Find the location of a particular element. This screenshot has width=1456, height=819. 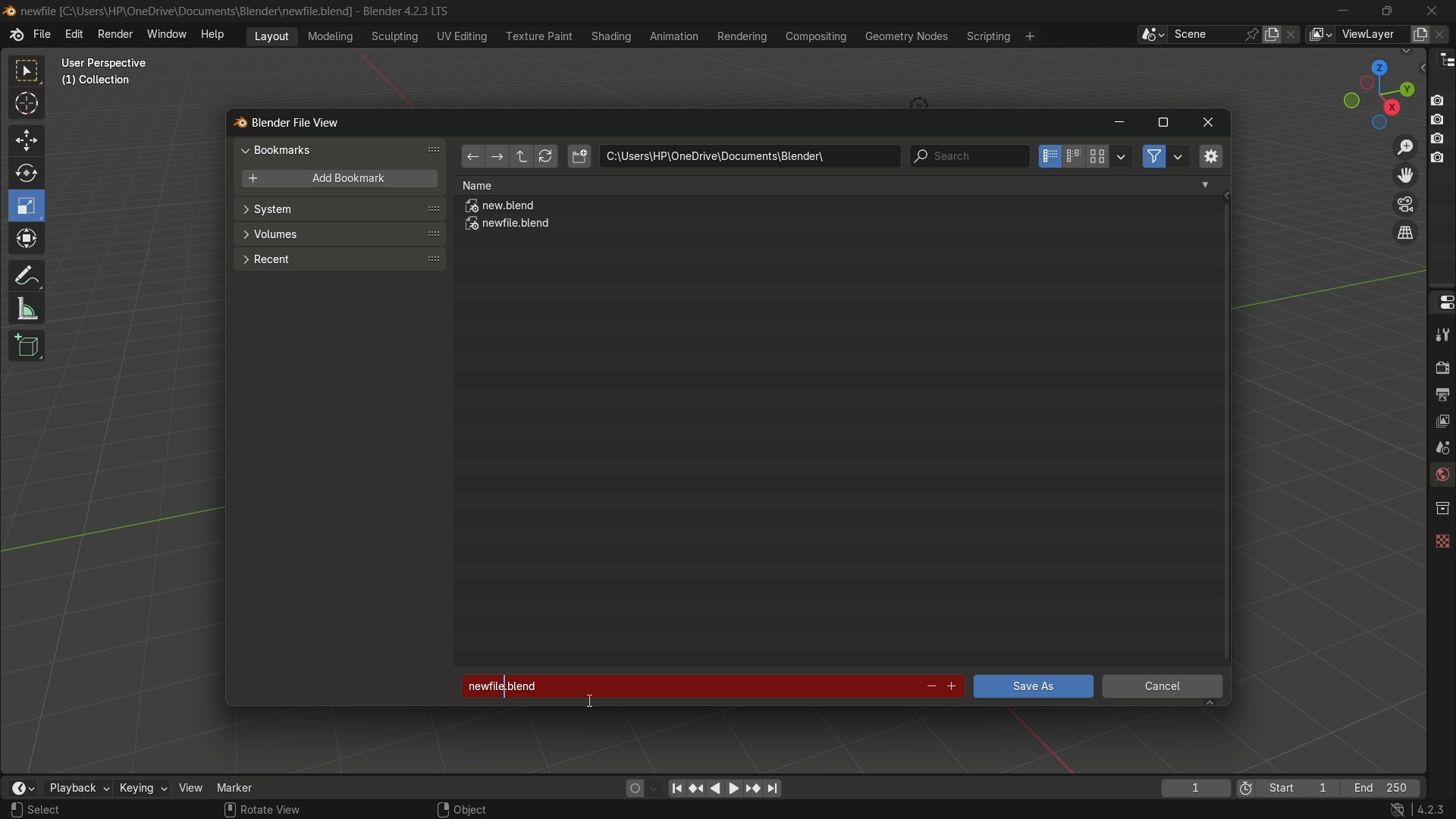

compositing menu is located at coordinates (817, 36).